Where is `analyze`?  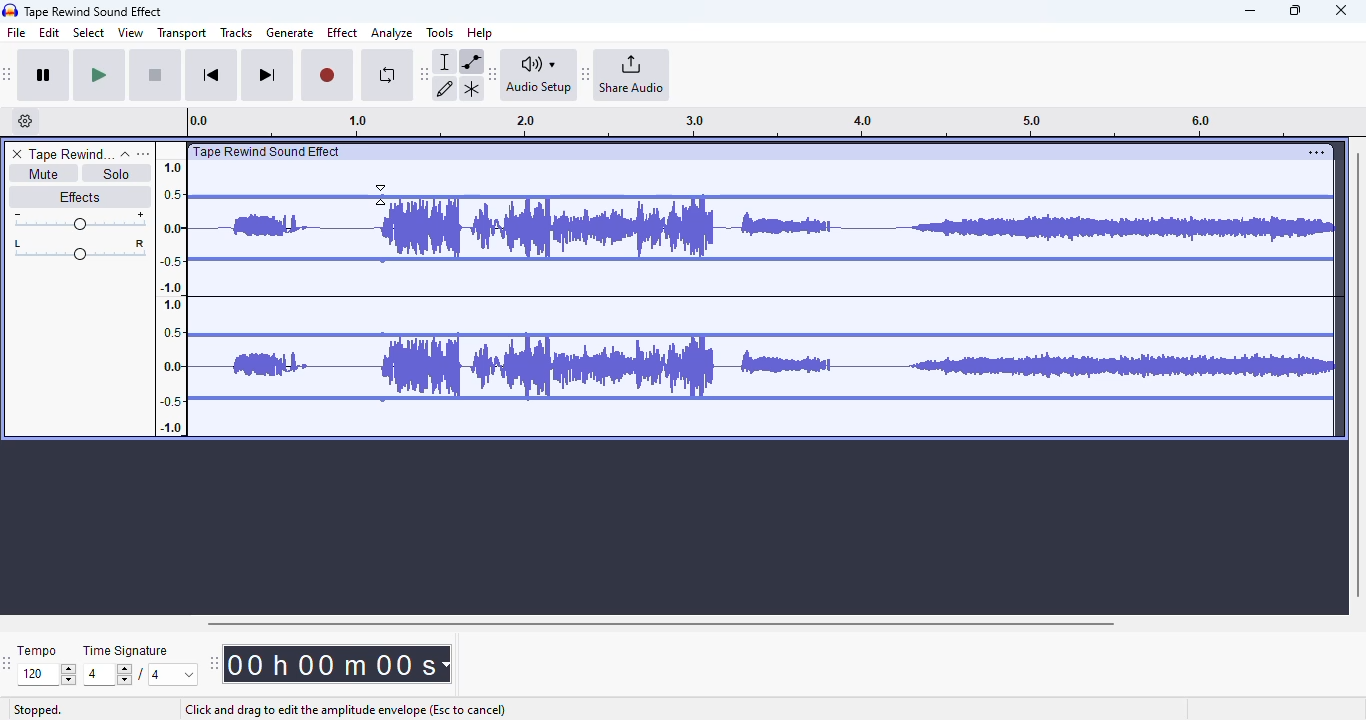
analyze is located at coordinates (392, 33).